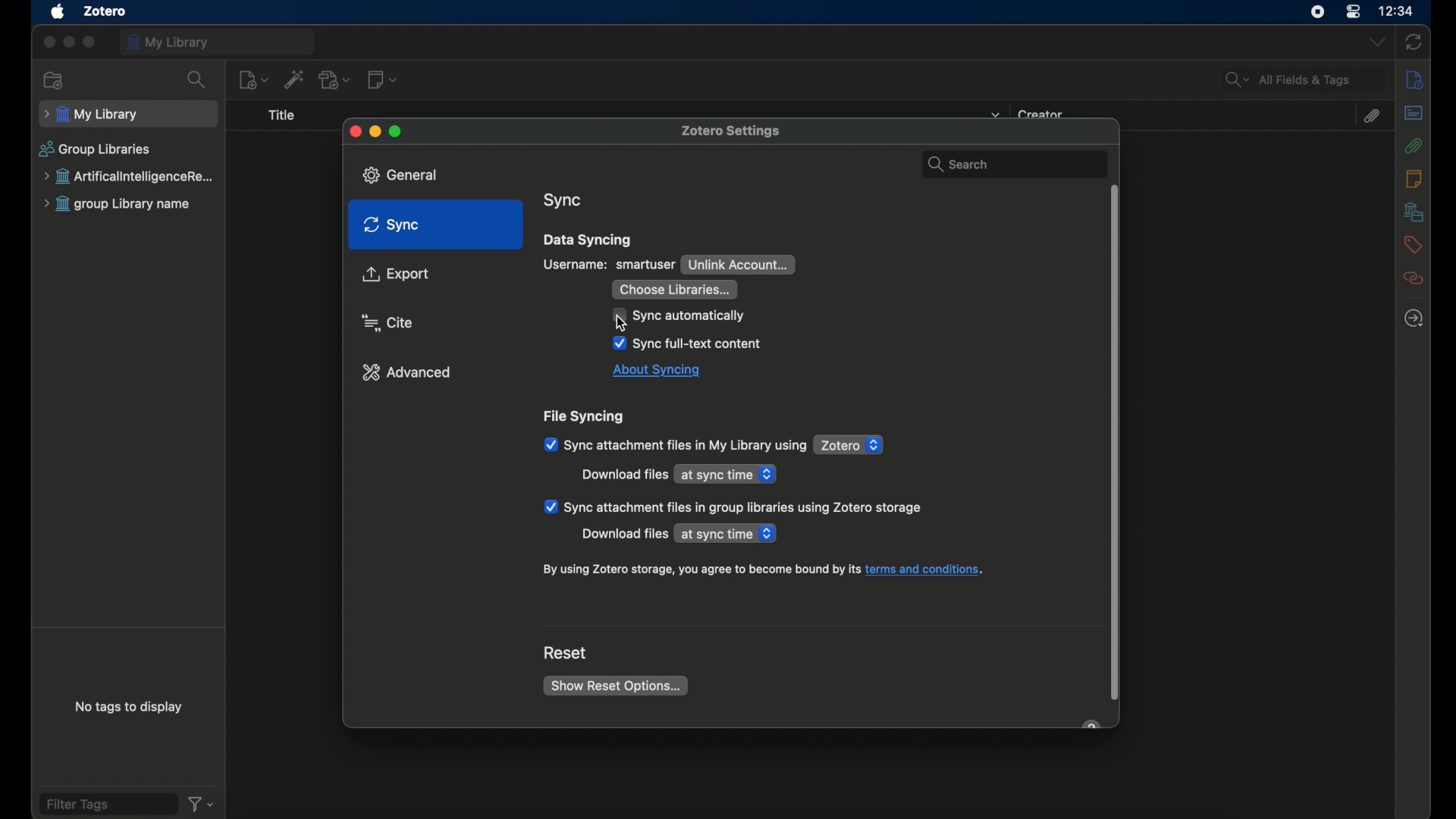 The width and height of the screenshot is (1456, 819). I want to click on my library, so click(218, 42).